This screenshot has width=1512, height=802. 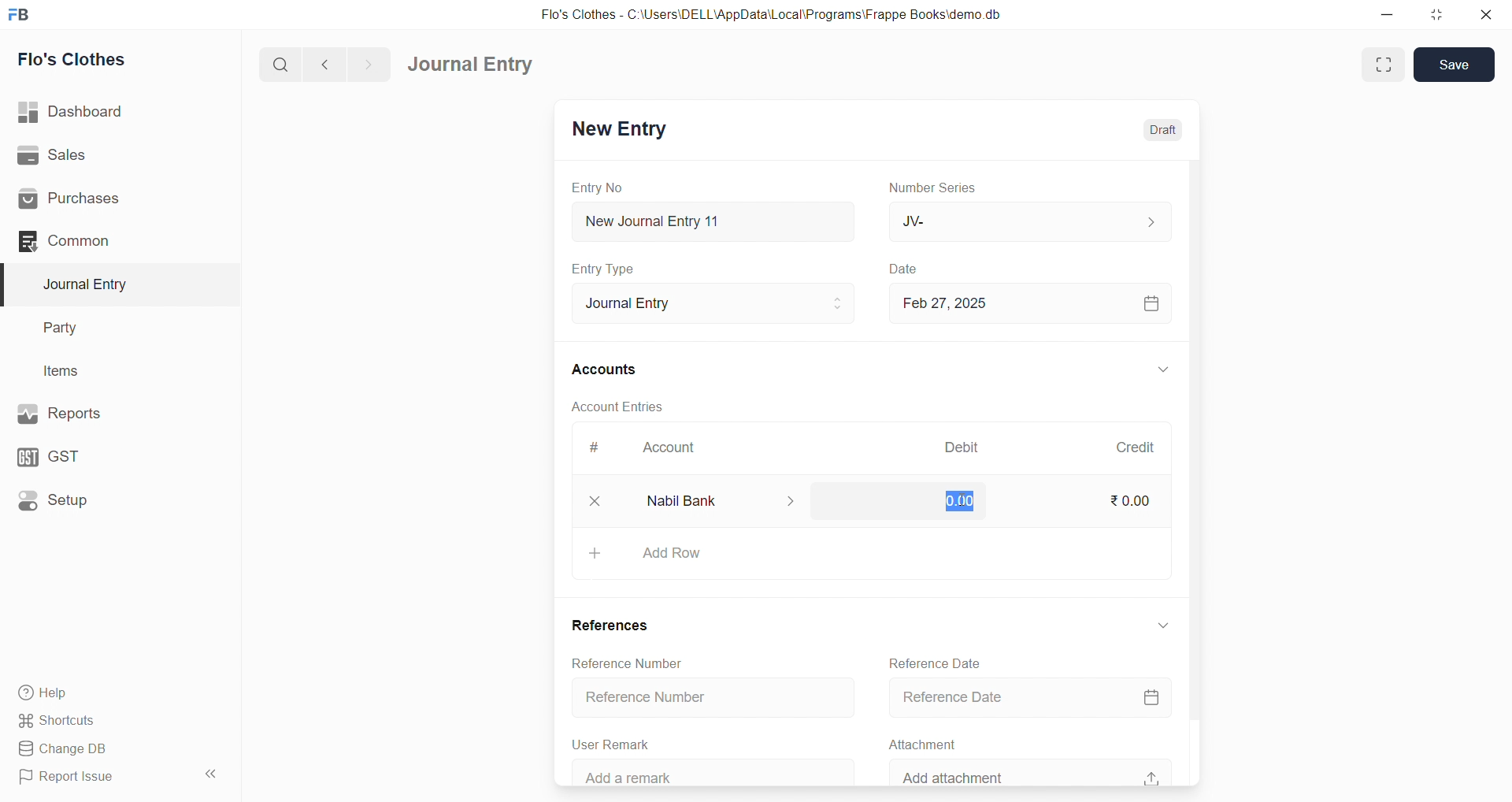 I want to click on New Journal Entry 11, so click(x=713, y=221).